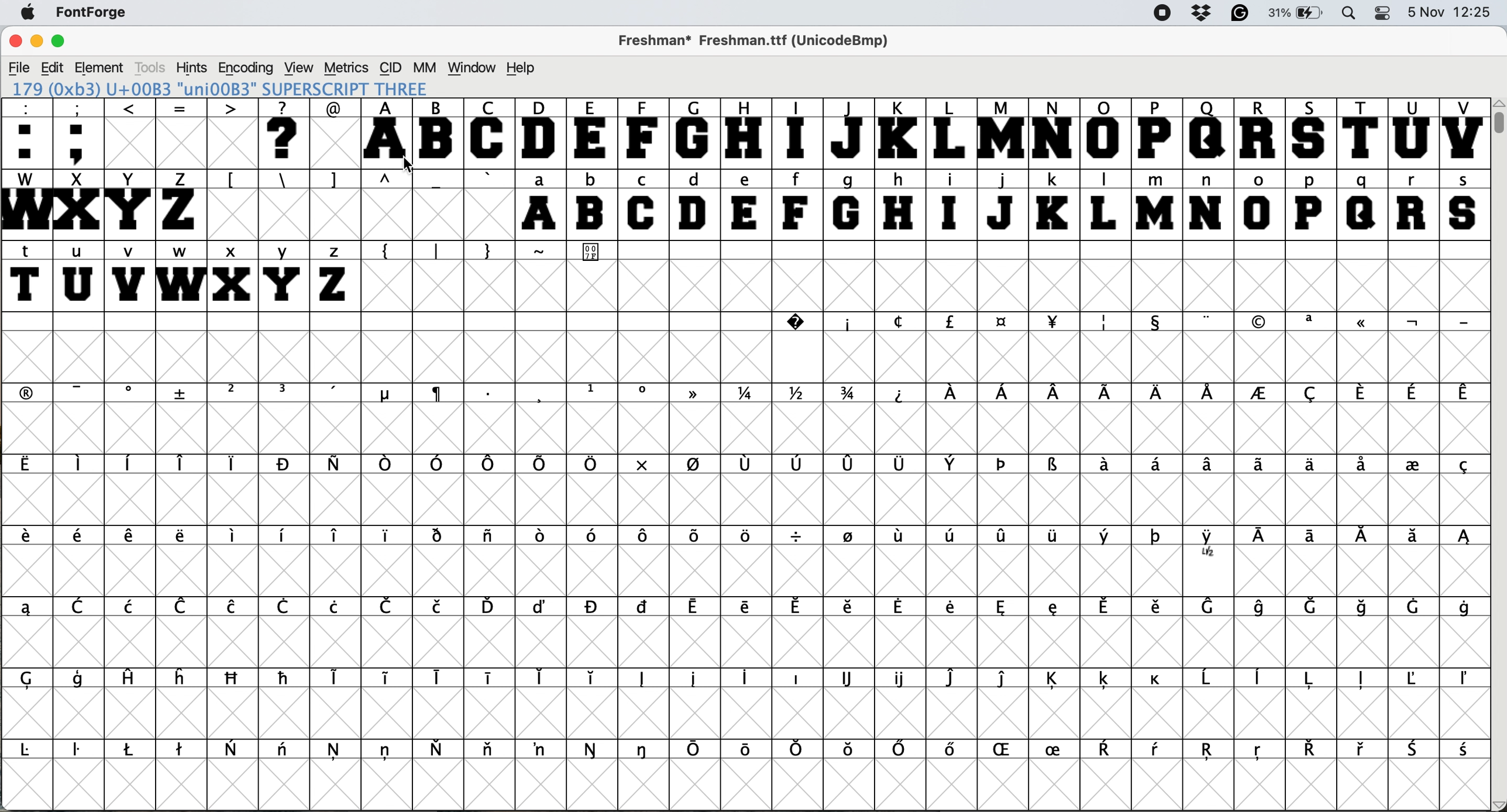 This screenshot has width=1507, height=812. Describe the element at coordinates (1452, 12) in the screenshot. I see `date and time` at that location.